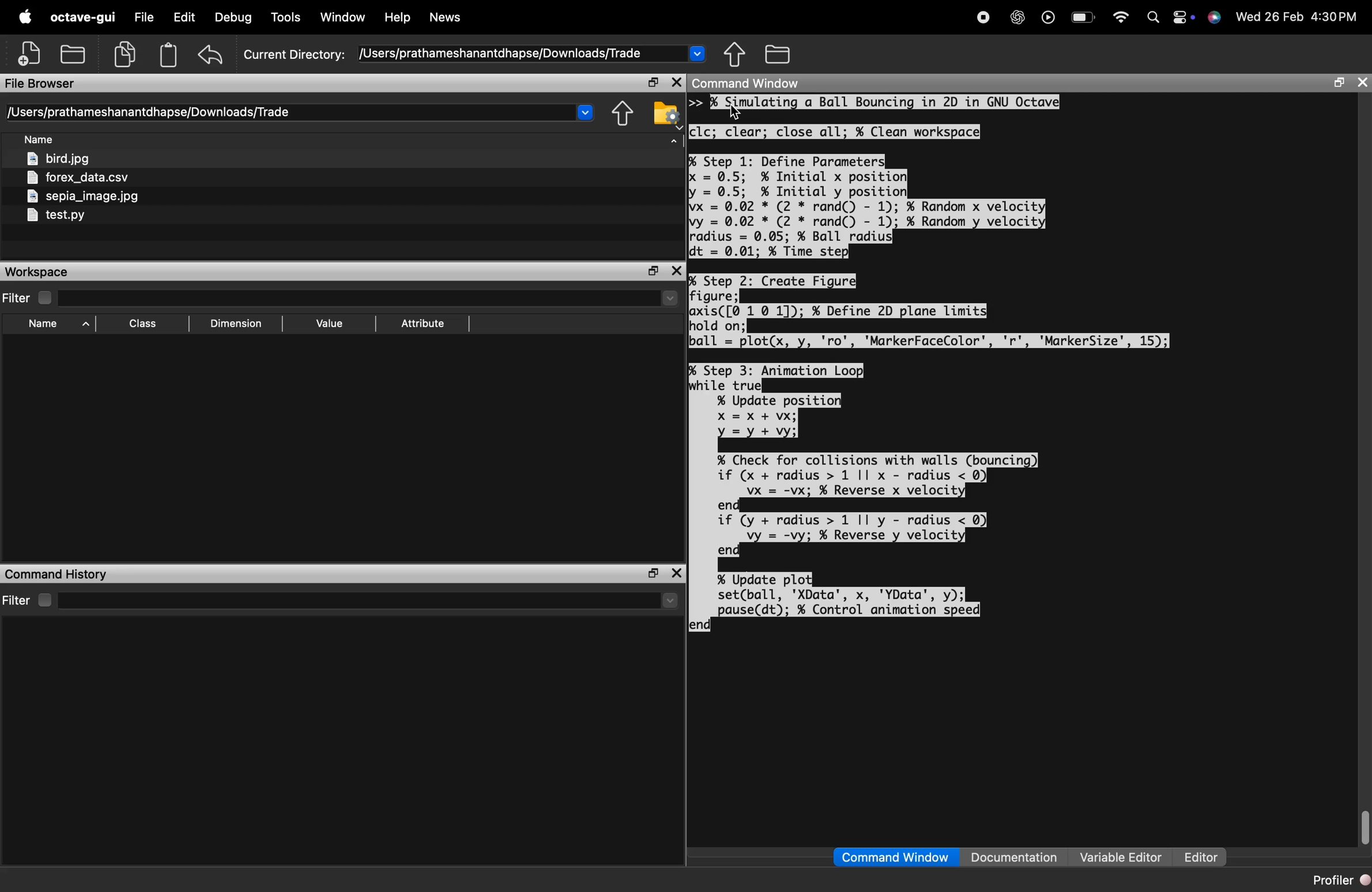 The width and height of the screenshot is (1372, 892). Describe the element at coordinates (895, 857) in the screenshot. I see `Command Window` at that location.